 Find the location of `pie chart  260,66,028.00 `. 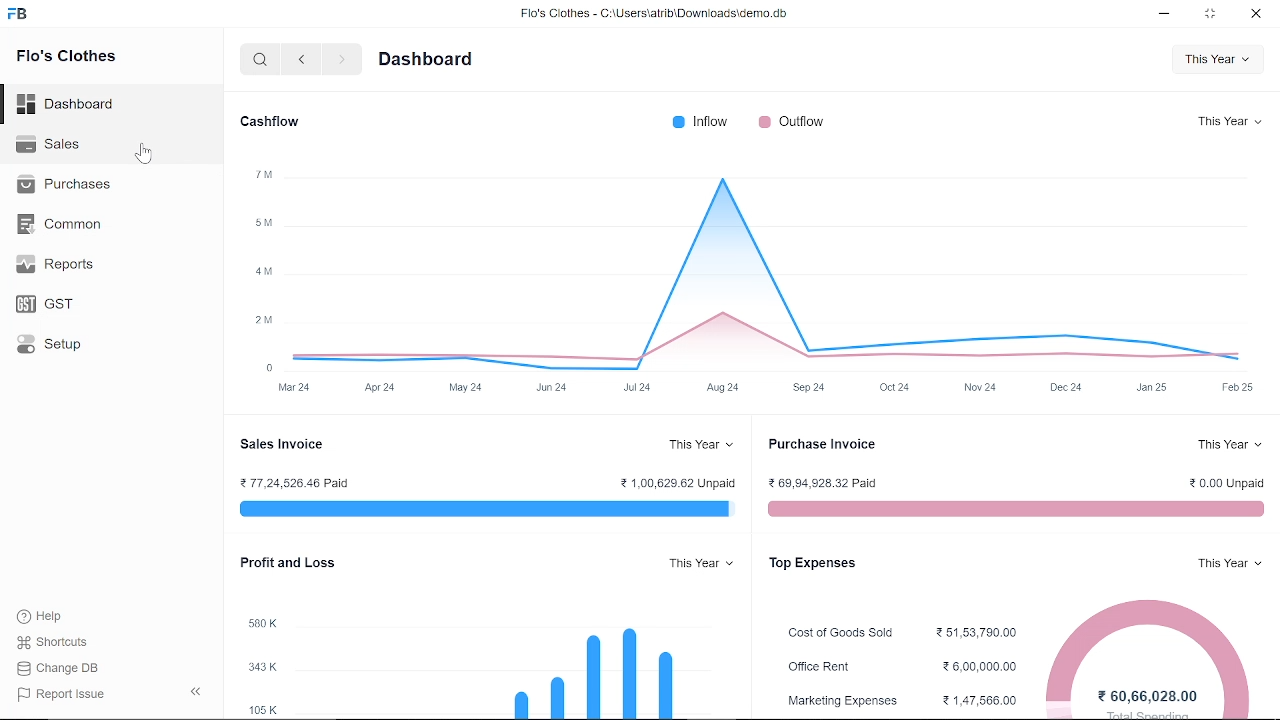

pie chart  260,66,028.00  is located at coordinates (1151, 653).